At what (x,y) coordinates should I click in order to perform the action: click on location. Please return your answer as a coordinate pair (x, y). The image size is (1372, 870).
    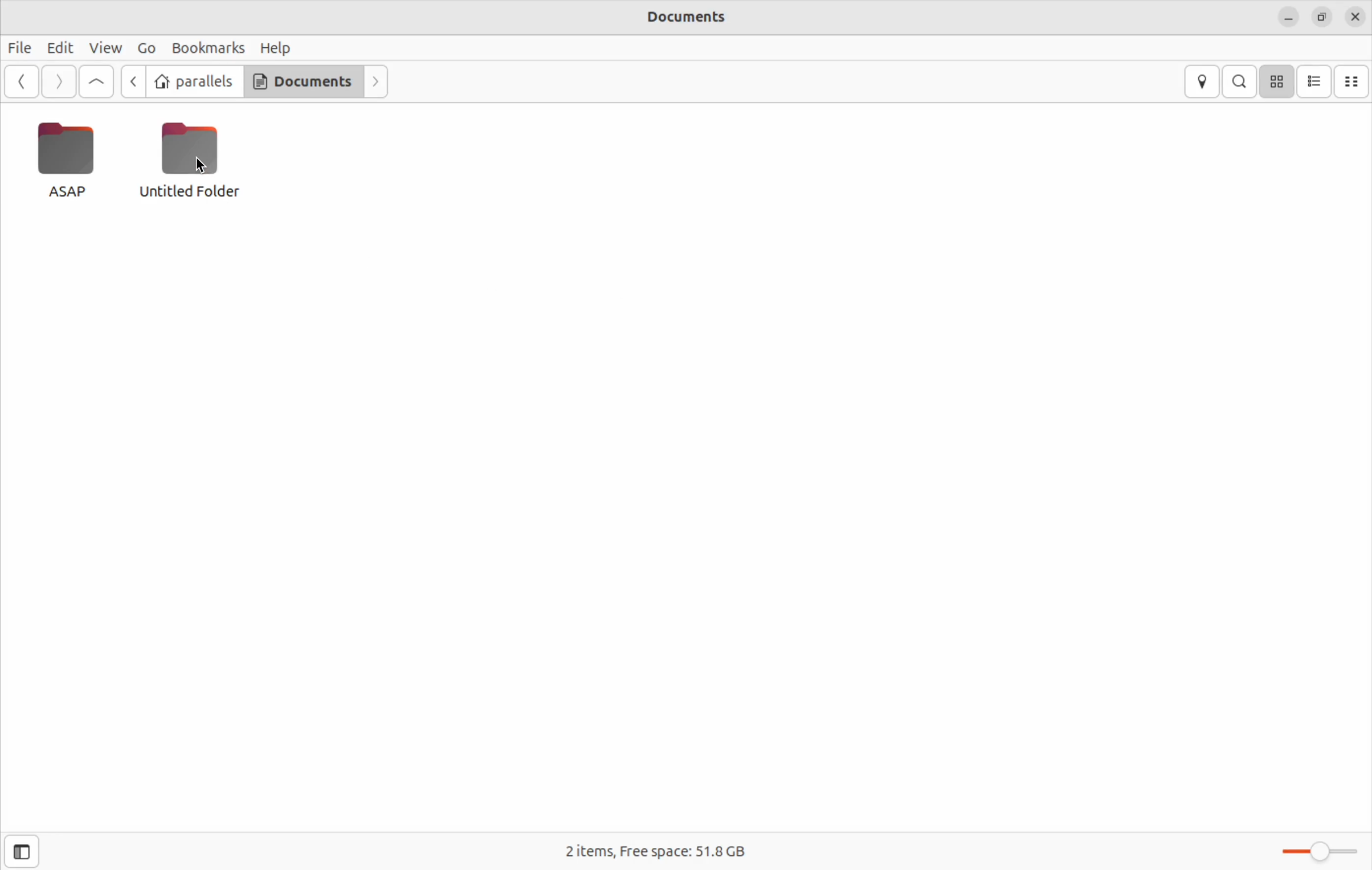
    Looking at the image, I should click on (1204, 81).